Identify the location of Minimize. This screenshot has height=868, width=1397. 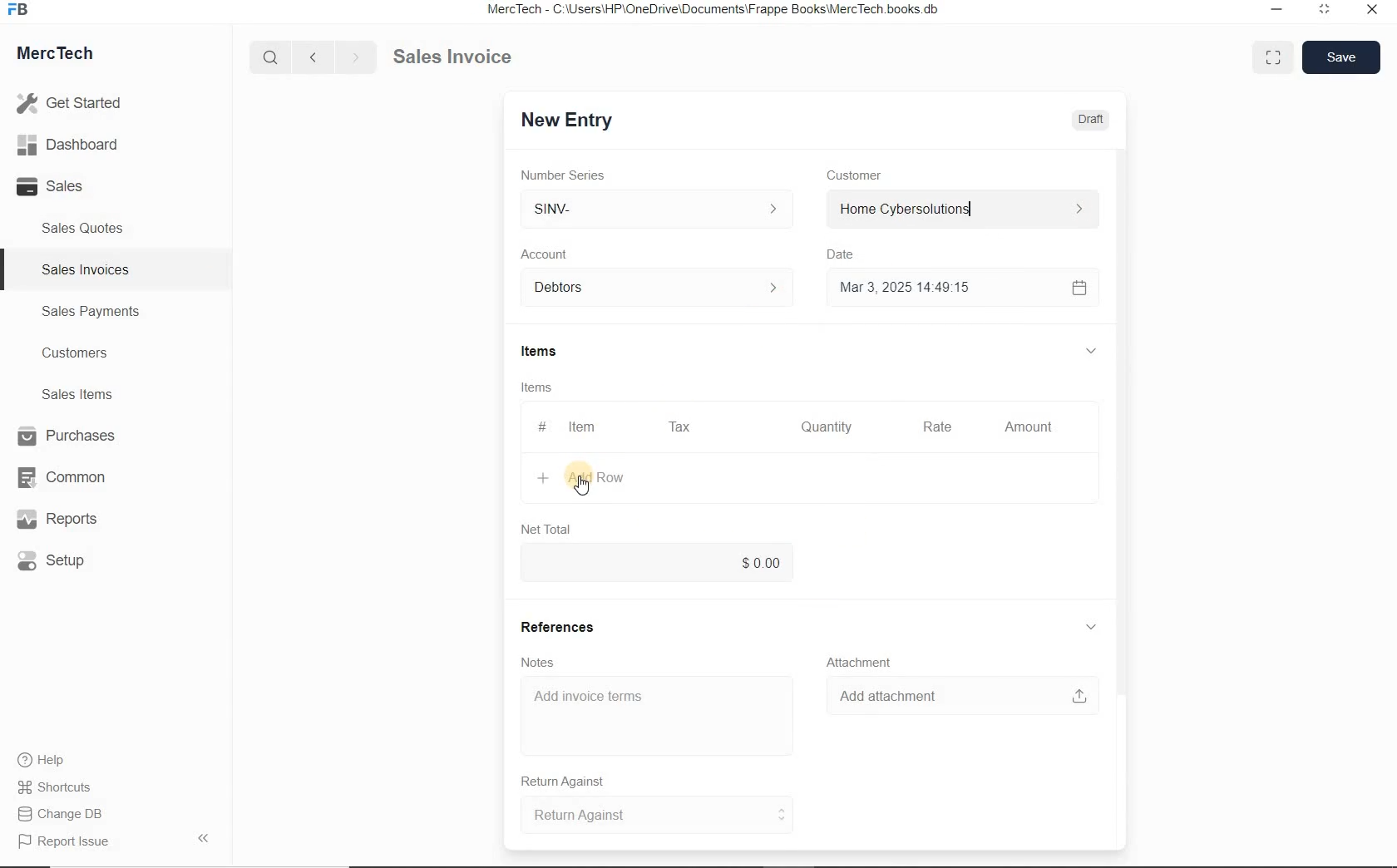
(1276, 12).